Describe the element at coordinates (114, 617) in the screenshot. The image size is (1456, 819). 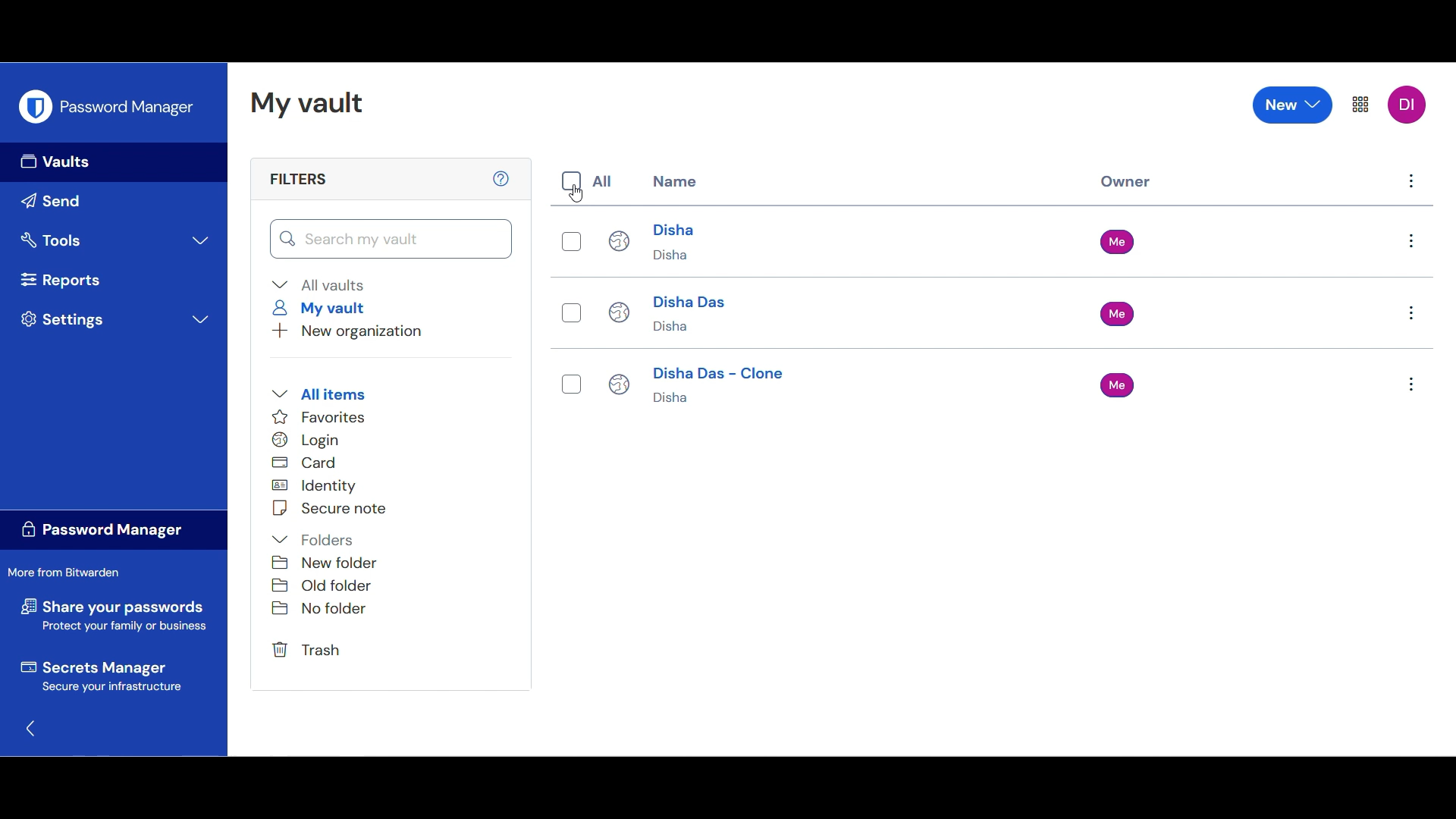
I see `Share your passwords     Protect your family or business` at that location.